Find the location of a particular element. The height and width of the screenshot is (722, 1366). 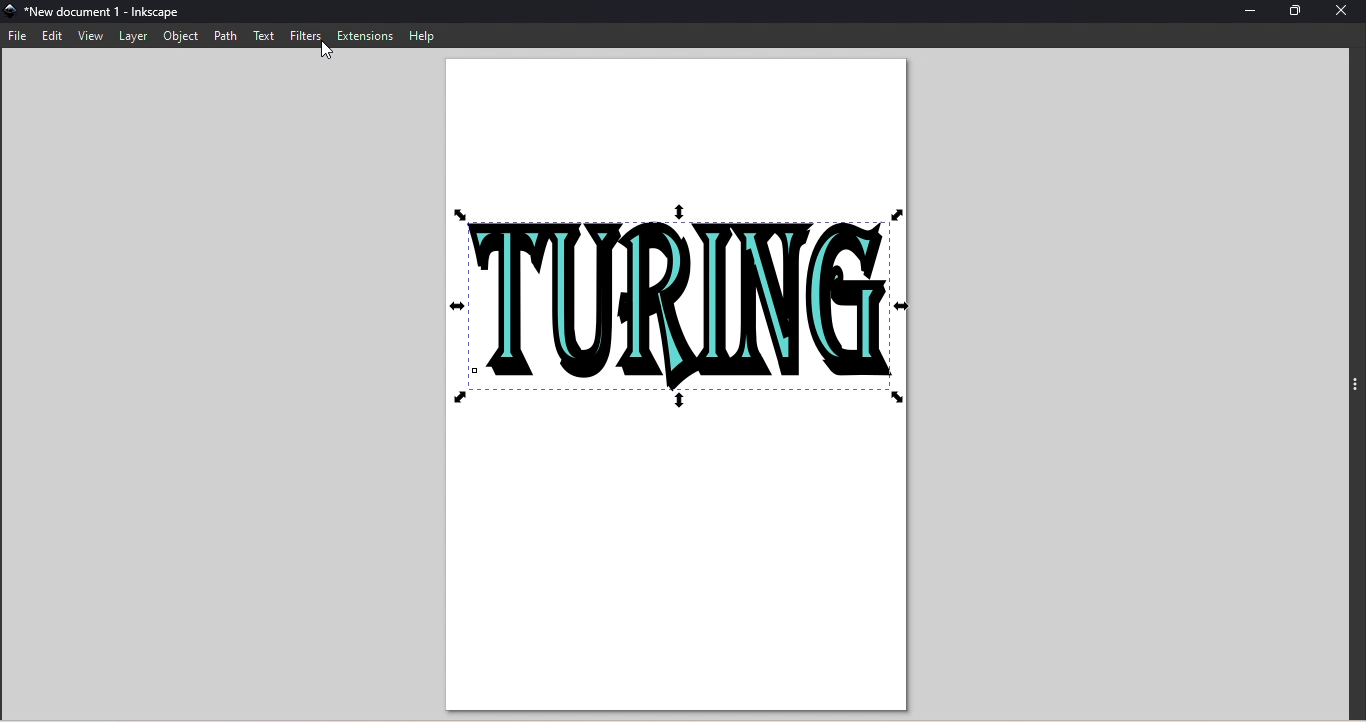

Layer is located at coordinates (135, 37).